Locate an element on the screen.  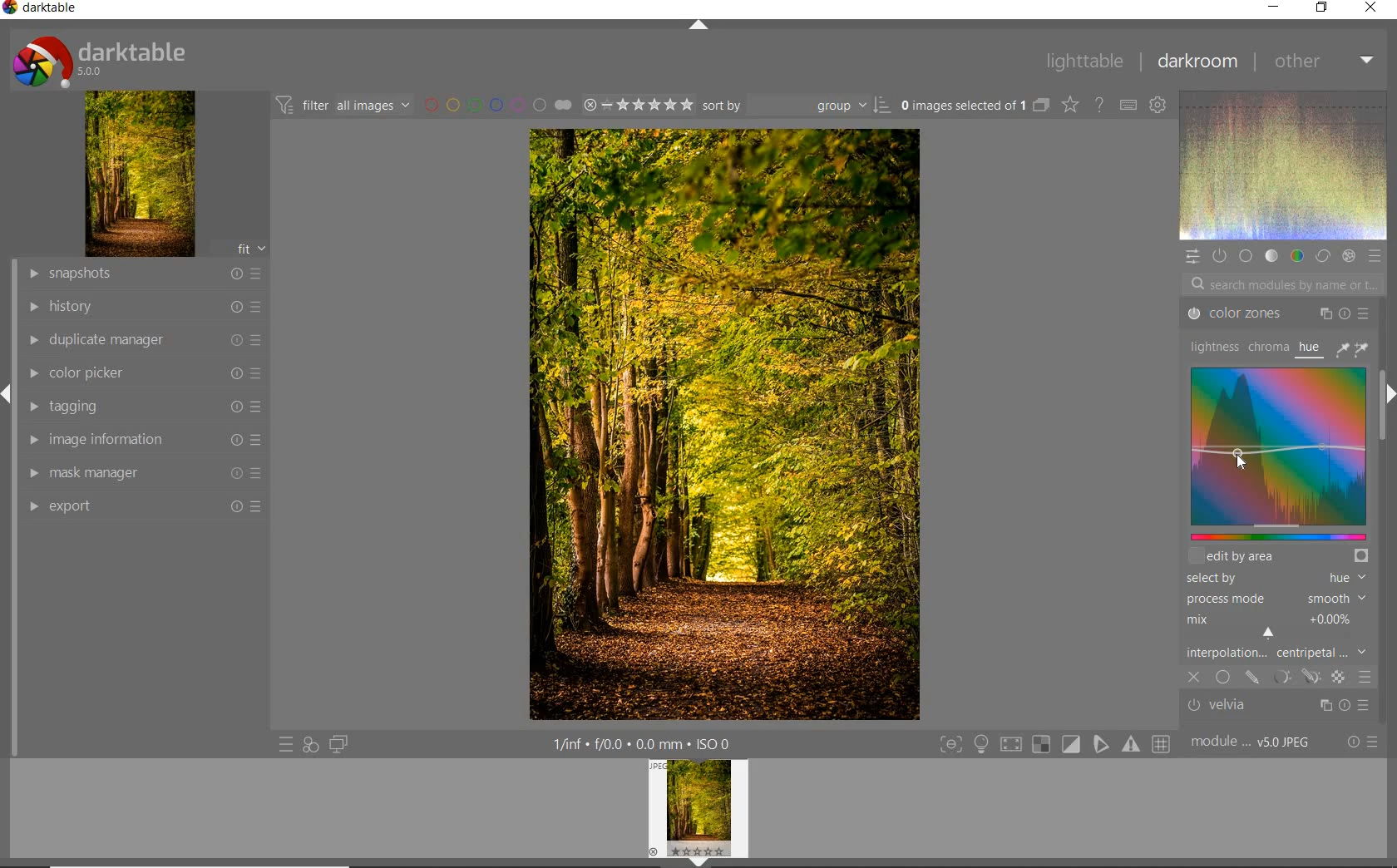
shift+alt+scroll to change height is located at coordinates (1261, 557).